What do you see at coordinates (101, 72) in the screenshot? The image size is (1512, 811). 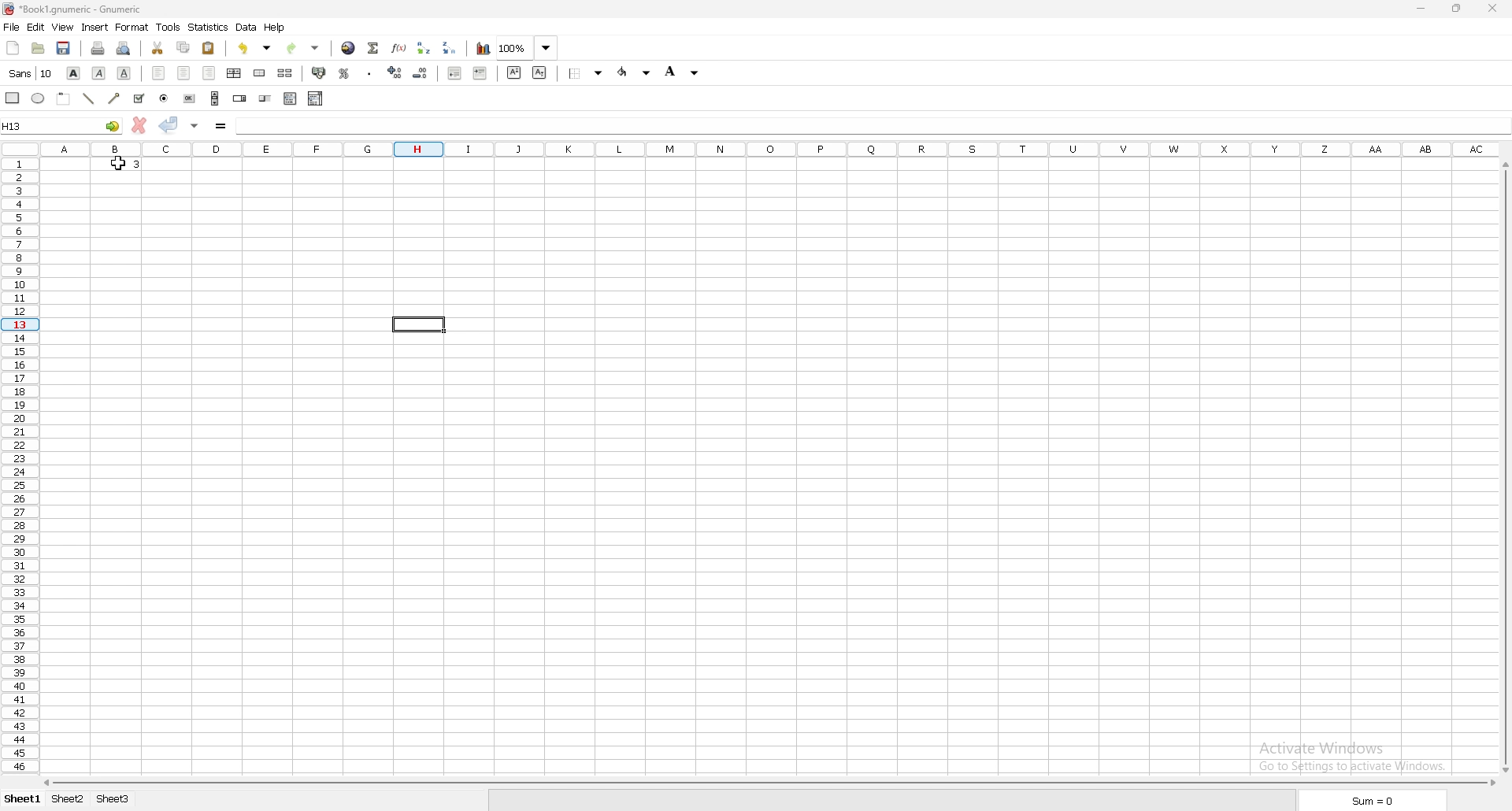 I see `italic` at bounding box center [101, 72].